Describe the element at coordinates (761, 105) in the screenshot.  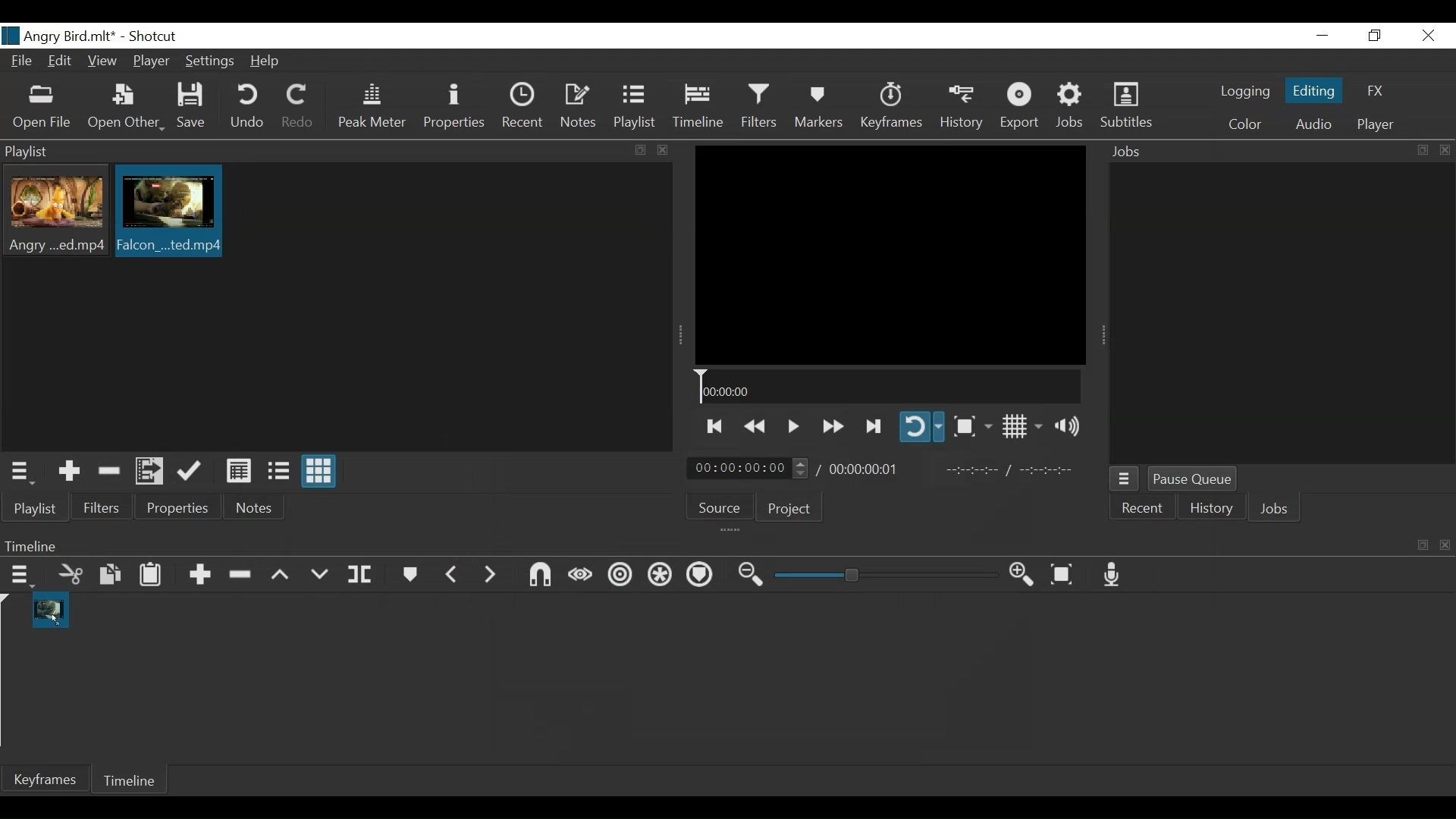
I see `Filters` at that location.